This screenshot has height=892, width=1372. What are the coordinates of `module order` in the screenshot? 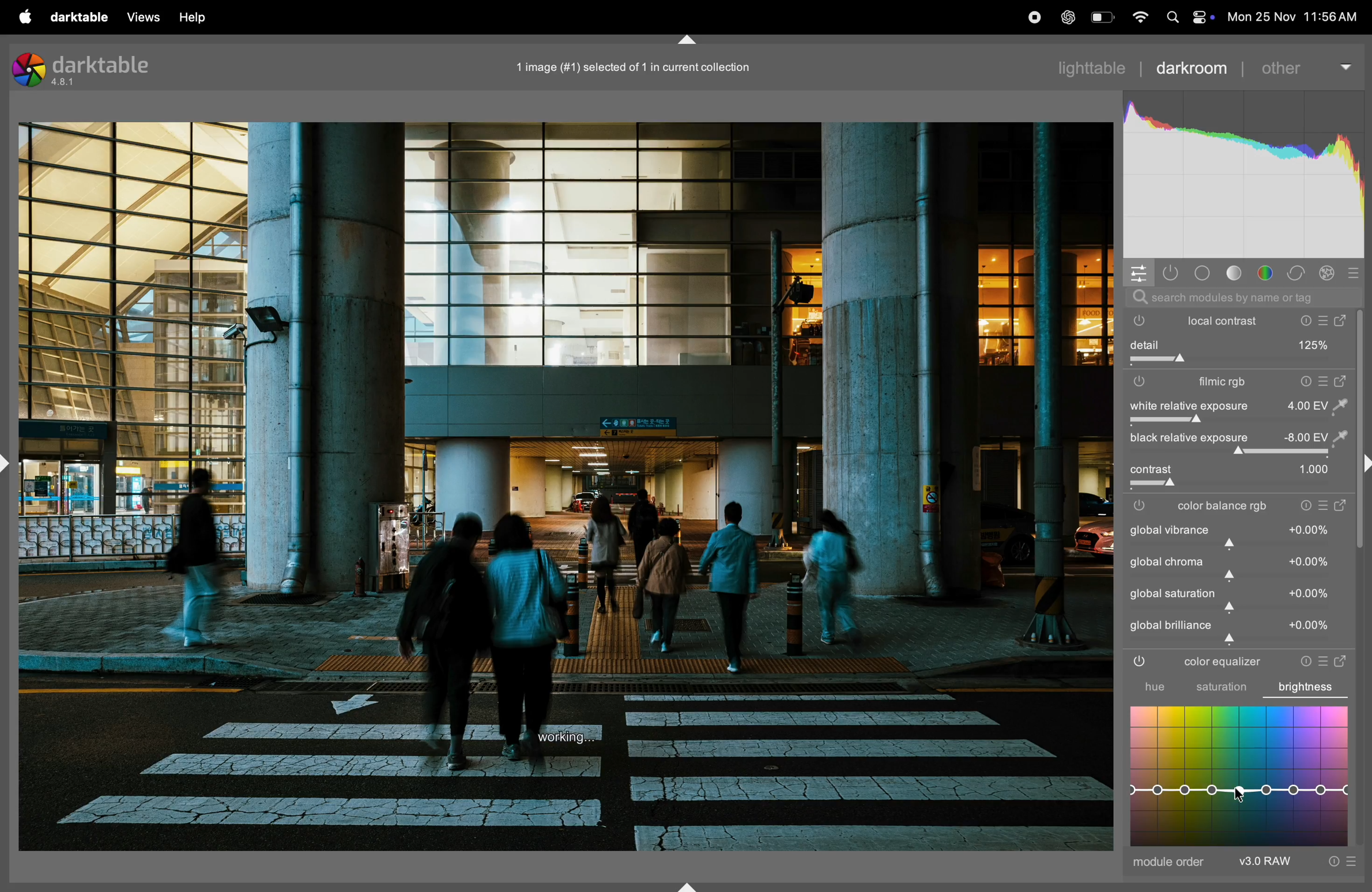 It's located at (1170, 864).